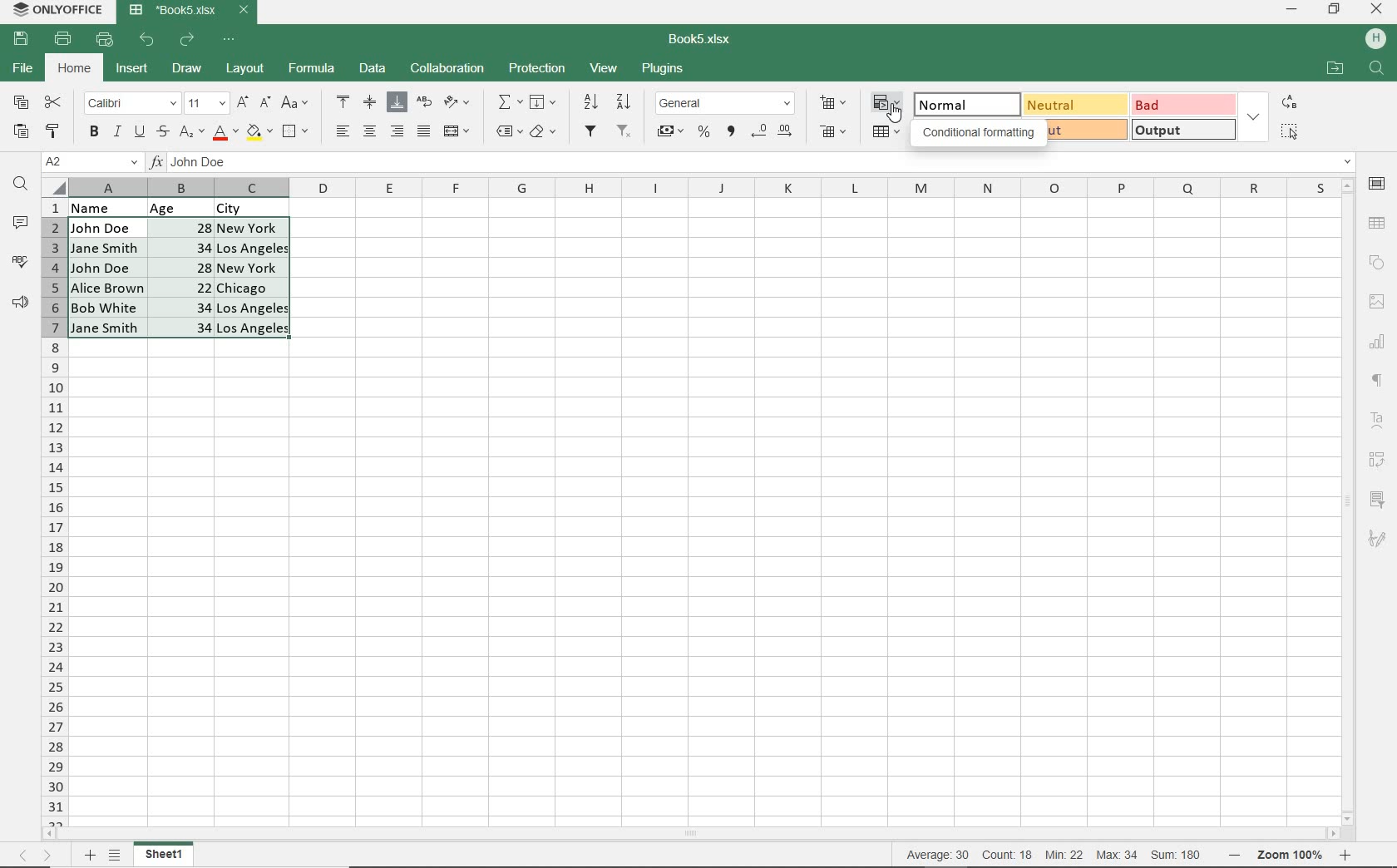 The height and width of the screenshot is (868, 1397). What do you see at coordinates (1378, 183) in the screenshot?
I see `CELL SETTINGS` at bounding box center [1378, 183].